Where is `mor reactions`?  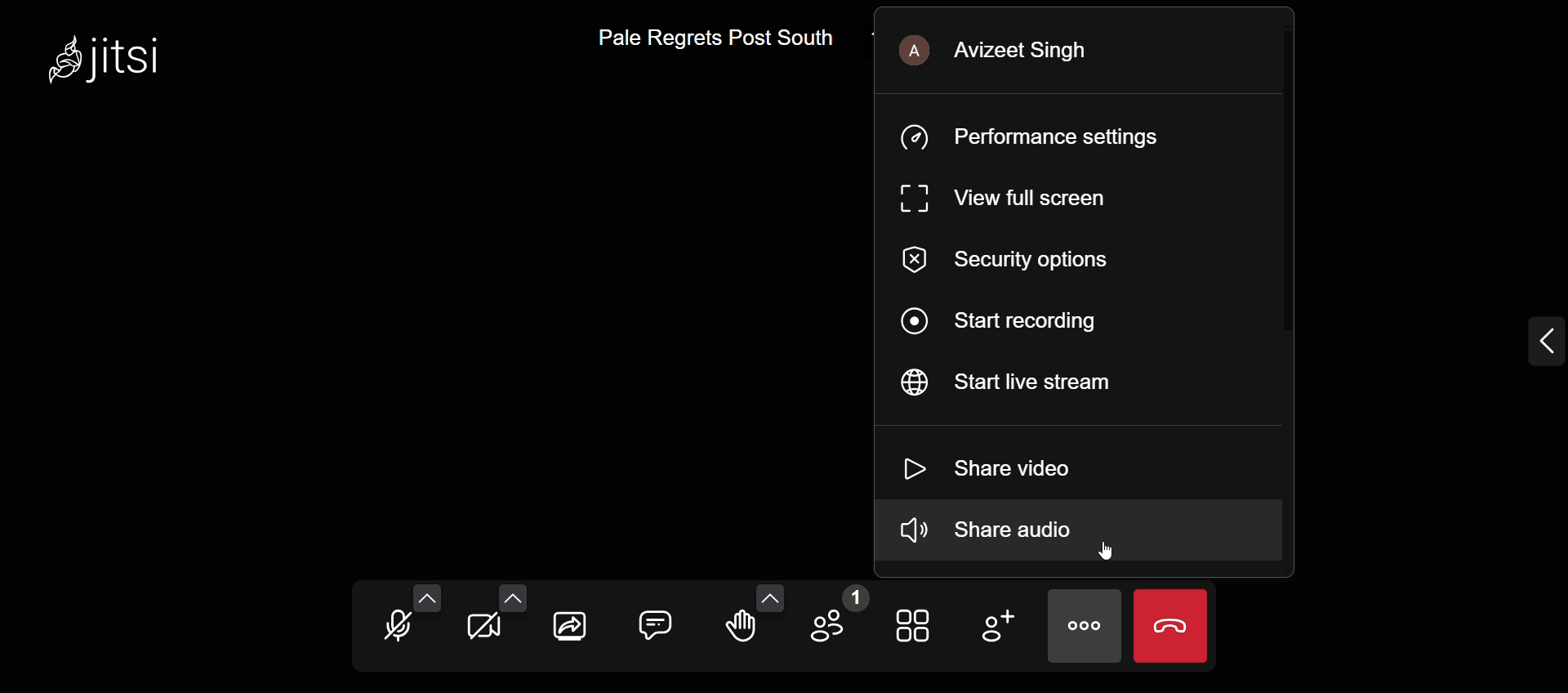 mor reactions is located at coordinates (773, 587).